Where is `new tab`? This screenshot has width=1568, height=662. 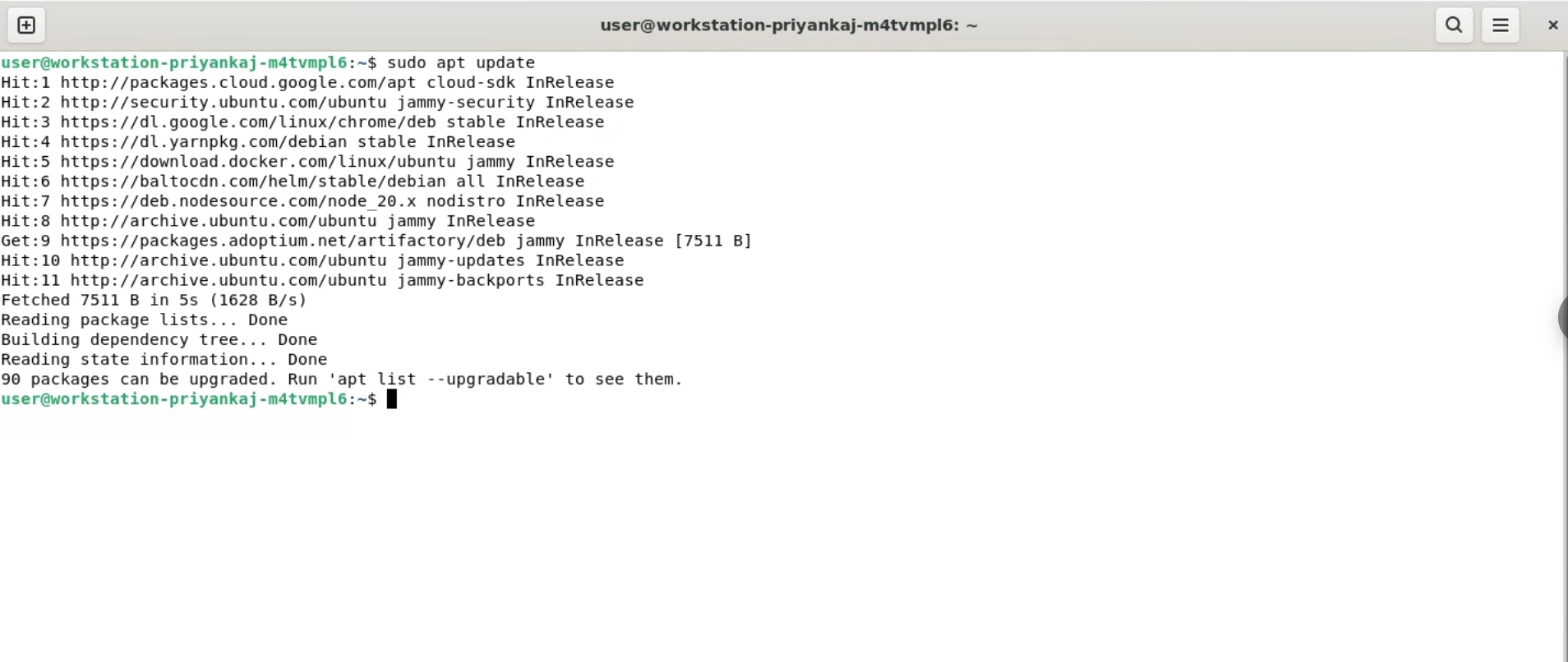 new tab is located at coordinates (26, 26).